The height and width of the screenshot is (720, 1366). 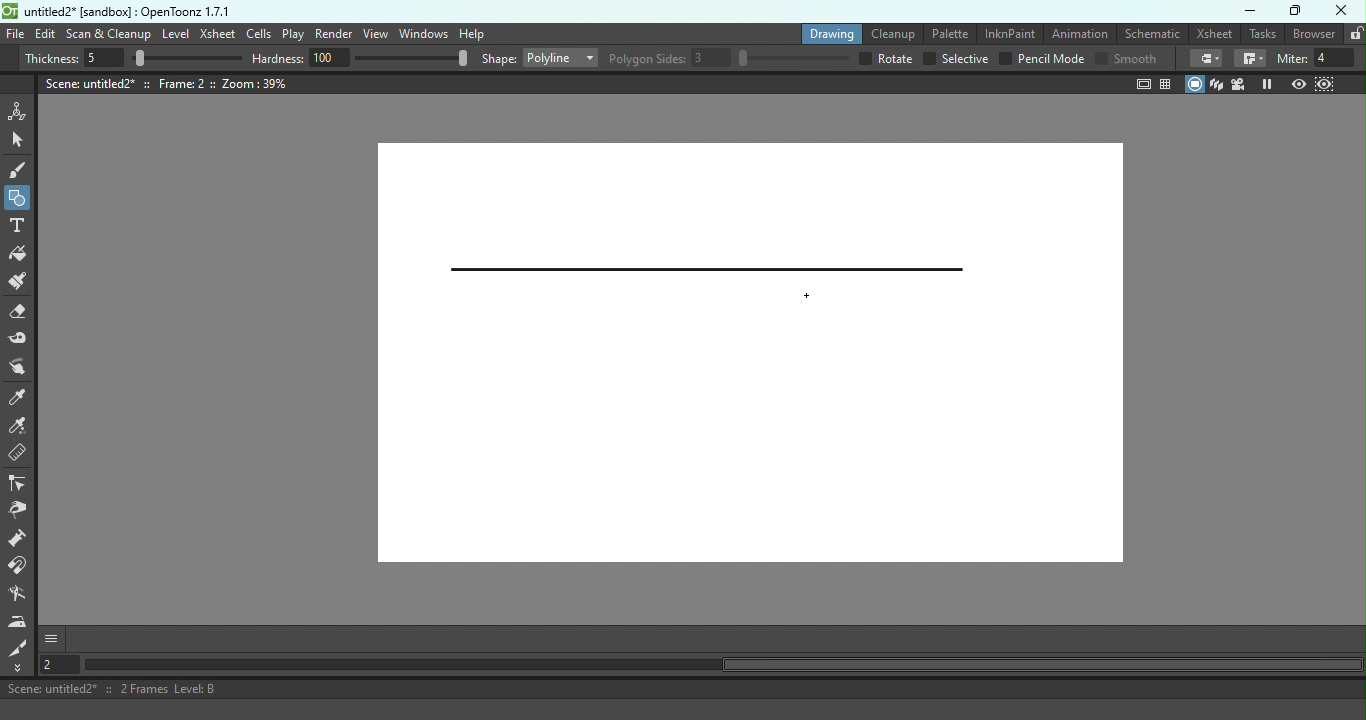 What do you see at coordinates (683, 689) in the screenshot?
I see `Scene: untitled2* :: 0 Frames` at bounding box center [683, 689].